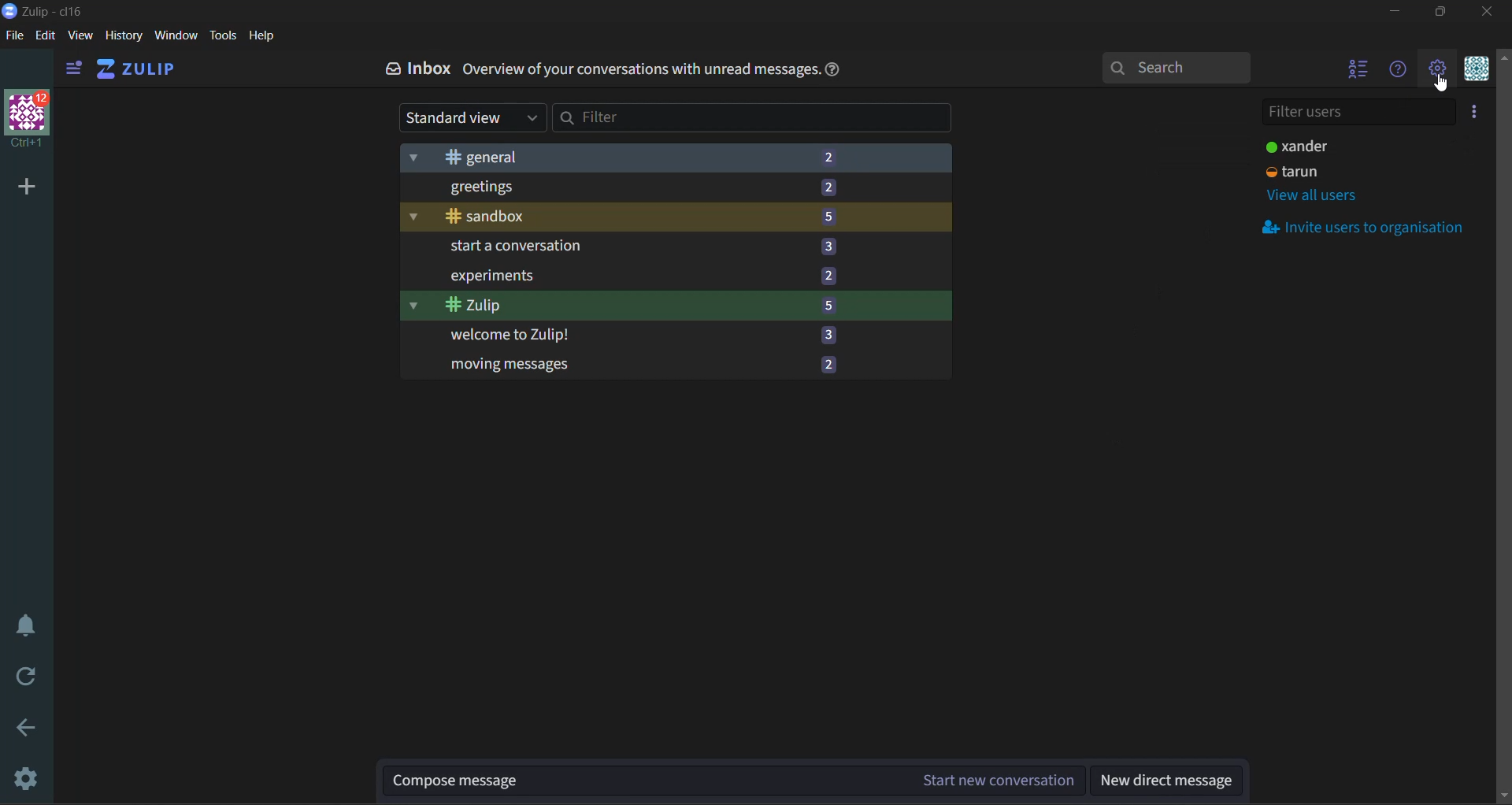  Describe the element at coordinates (1477, 72) in the screenshot. I see `menu` at that location.